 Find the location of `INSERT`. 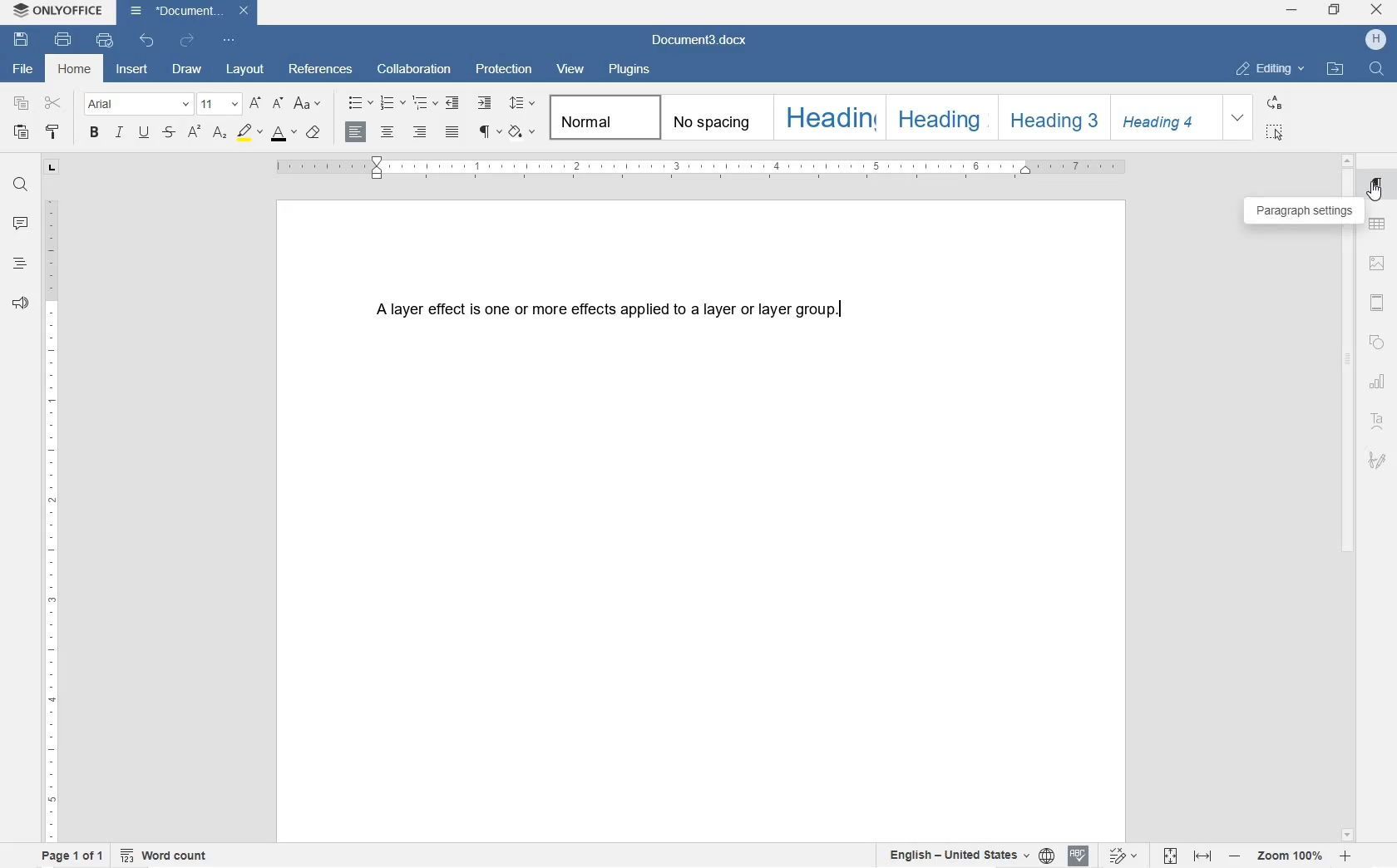

INSERT is located at coordinates (132, 70).